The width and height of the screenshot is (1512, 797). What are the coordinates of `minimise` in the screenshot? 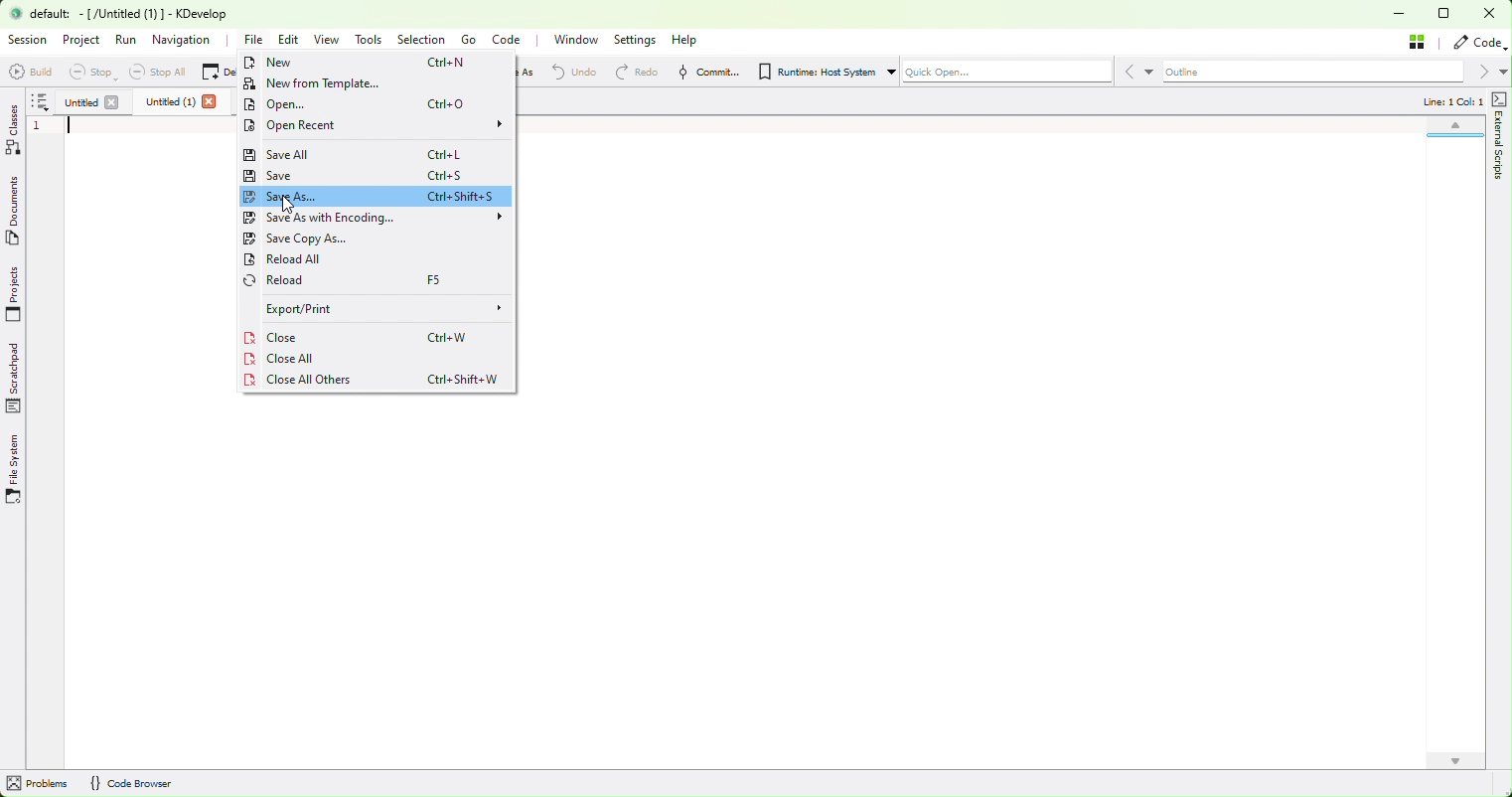 It's located at (1404, 16).